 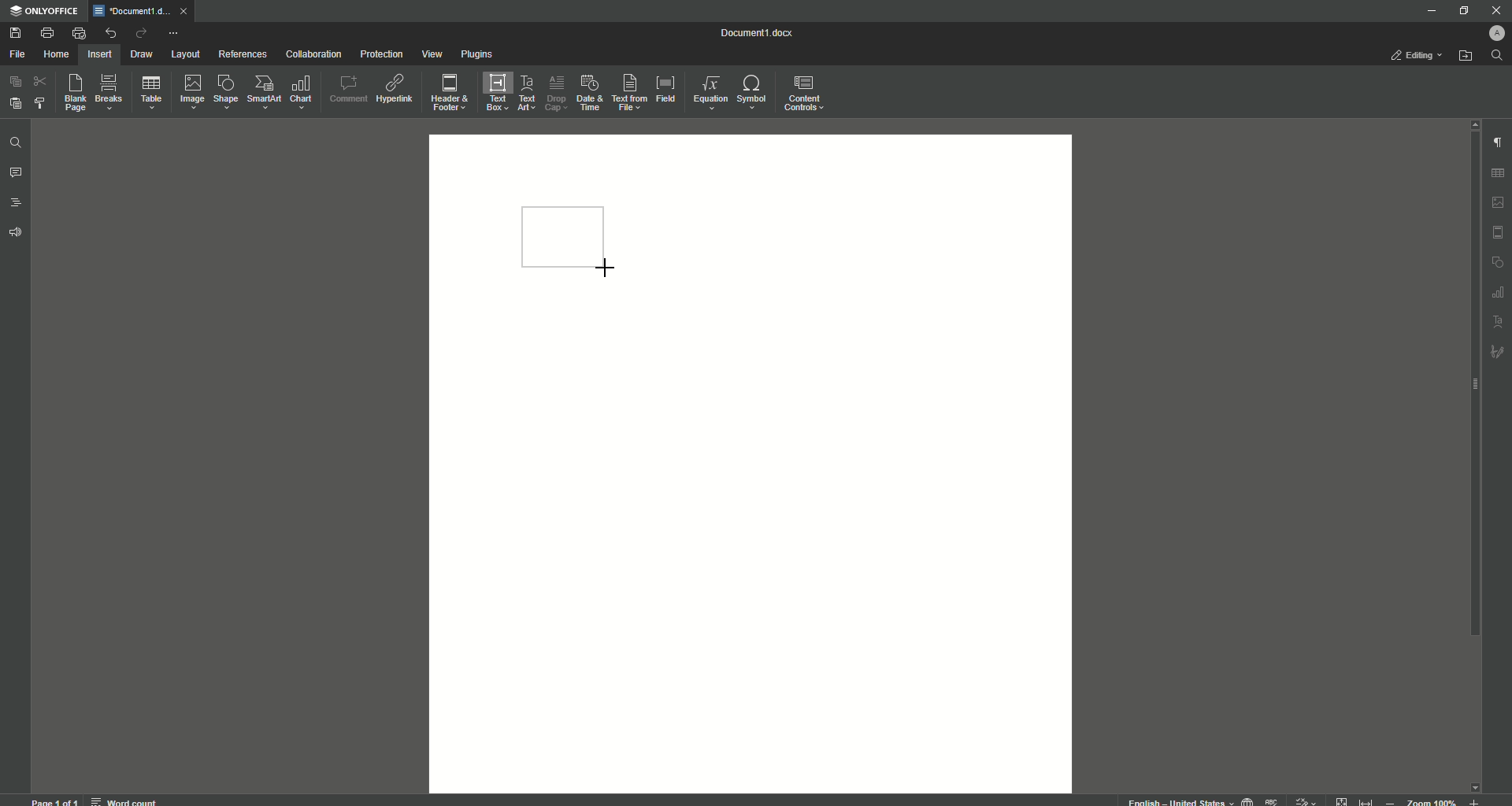 I want to click on Date and Time, so click(x=589, y=93).